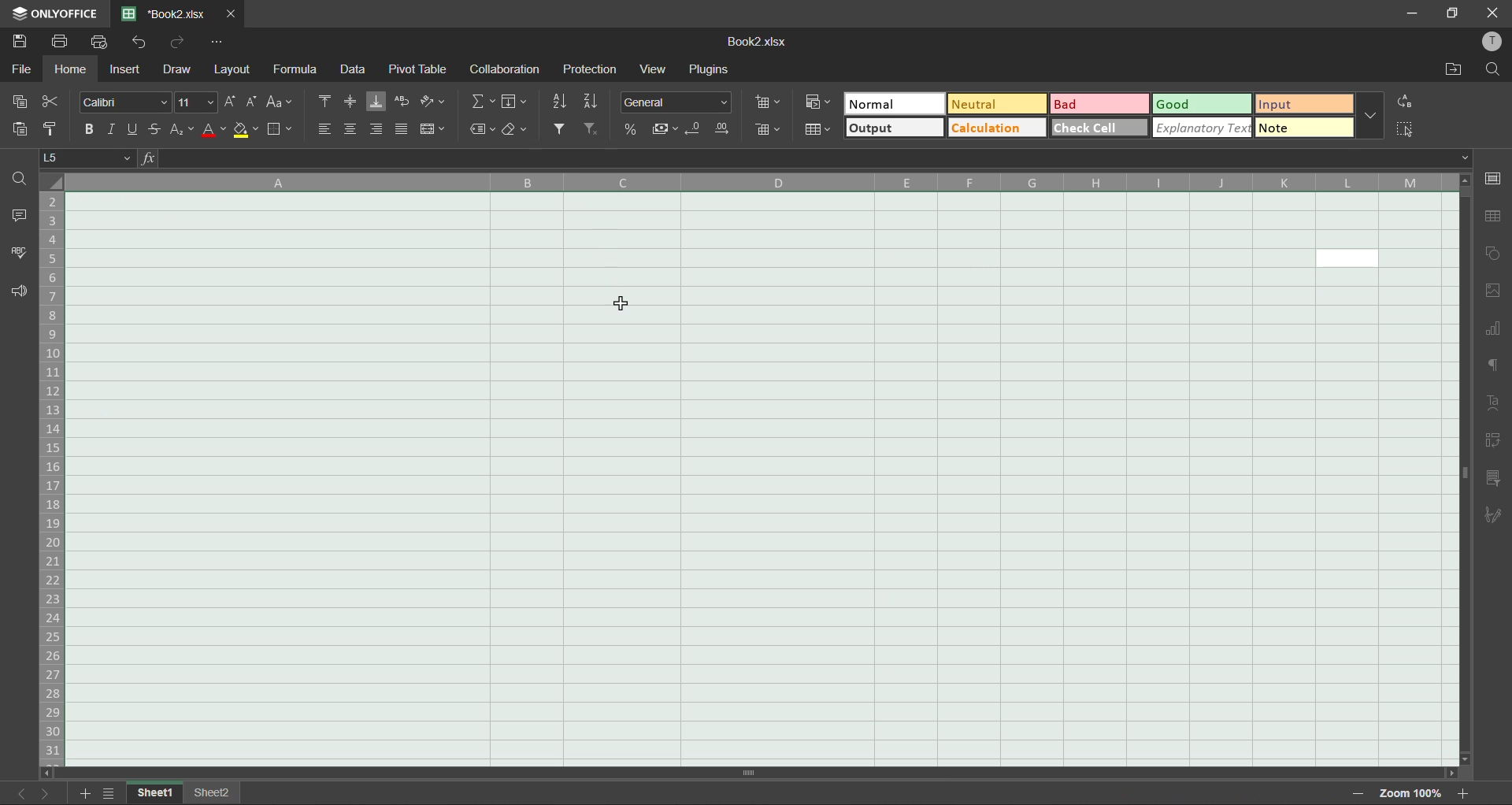 This screenshot has width=1512, height=805. I want to click on insert, so click(124, 70).